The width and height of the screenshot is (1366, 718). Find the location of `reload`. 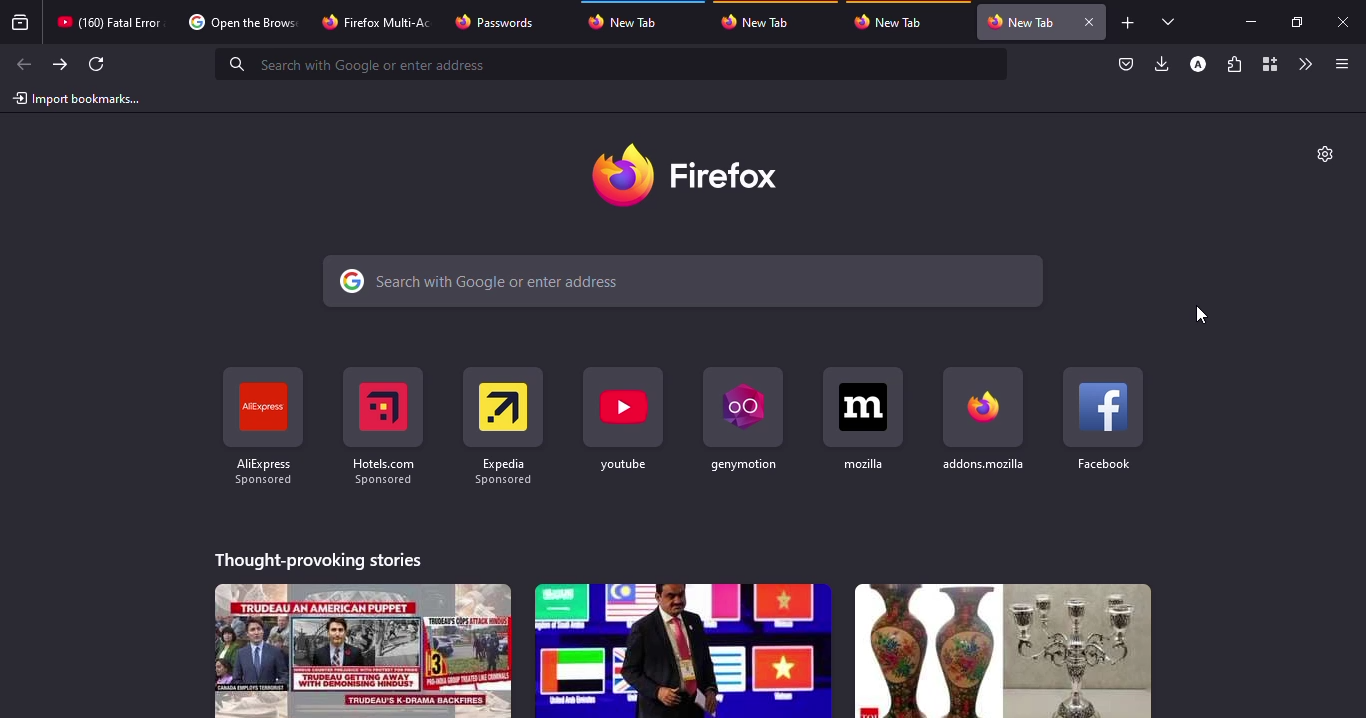

reload is located at coordinates (96, 64).